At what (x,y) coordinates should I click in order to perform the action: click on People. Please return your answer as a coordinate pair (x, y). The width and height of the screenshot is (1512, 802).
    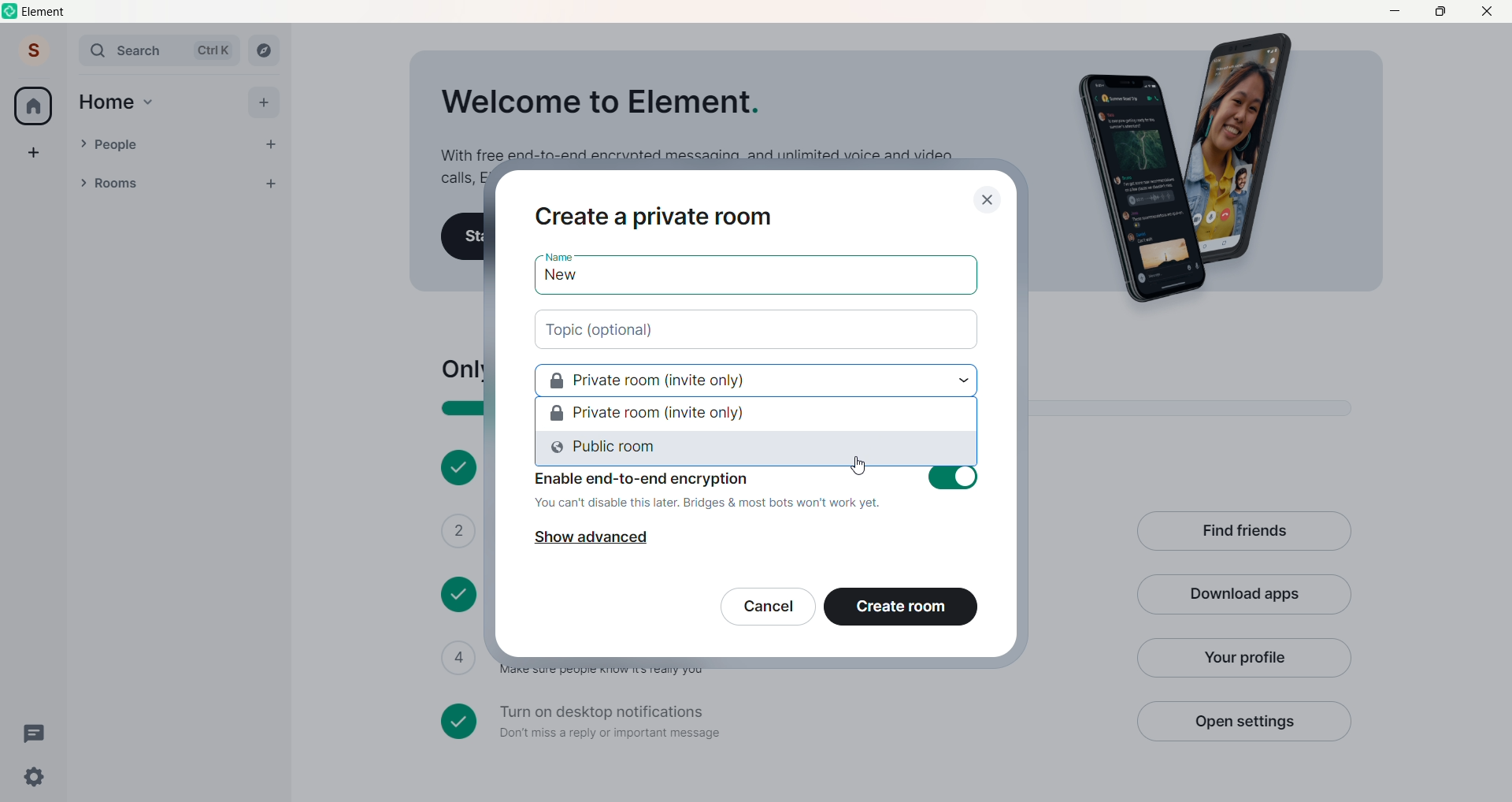
    Looking at the image, I should click on (172, 145).